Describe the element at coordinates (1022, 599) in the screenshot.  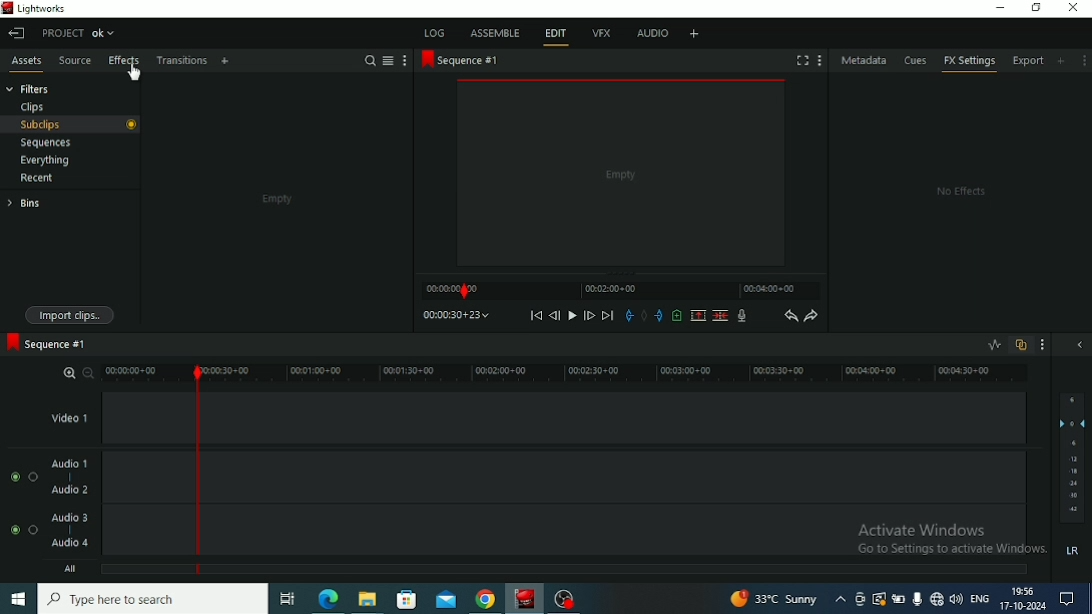
I see `Date and Time Indicator` at that location.